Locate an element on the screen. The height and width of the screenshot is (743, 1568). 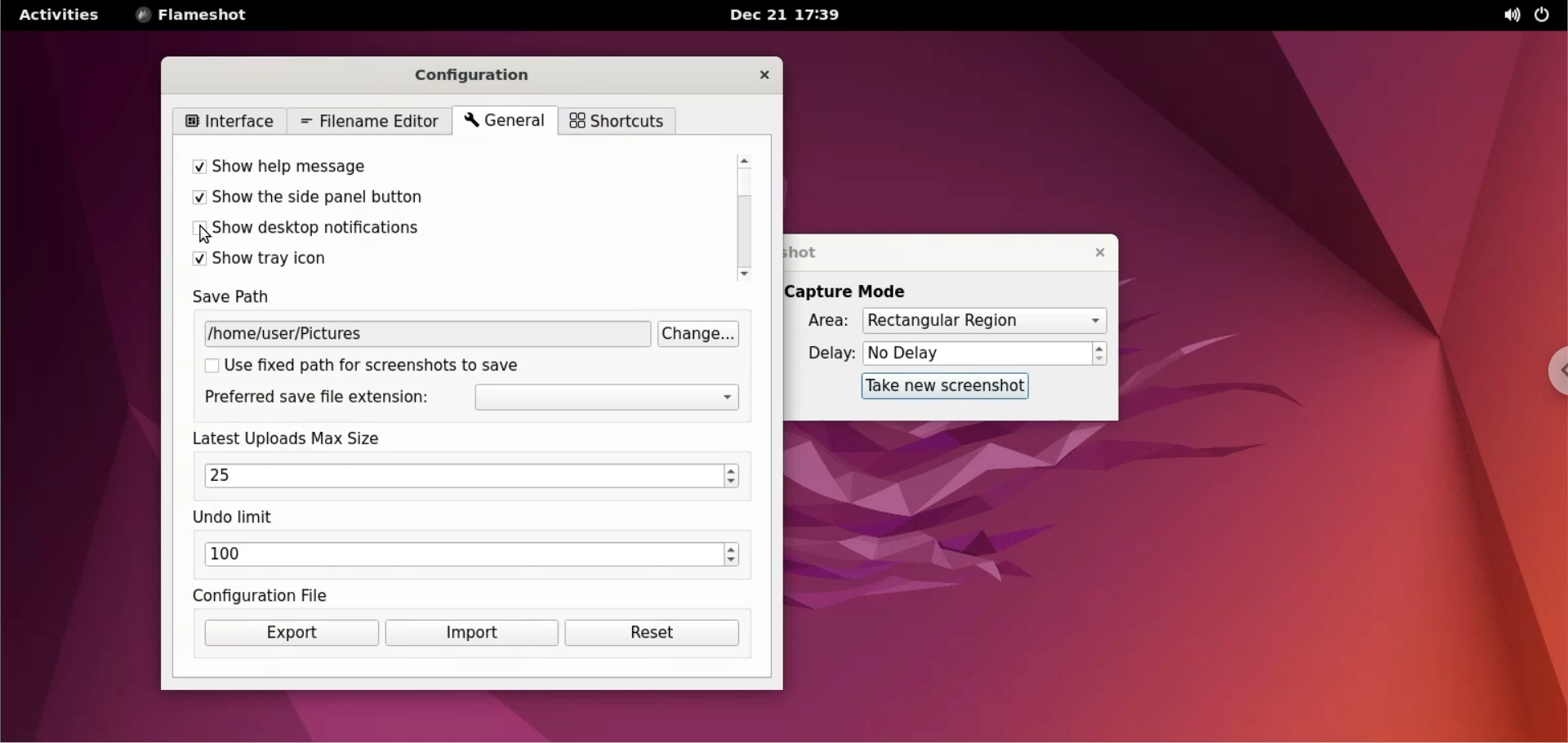
show help message checkbox is located at coordinates (433, 169).